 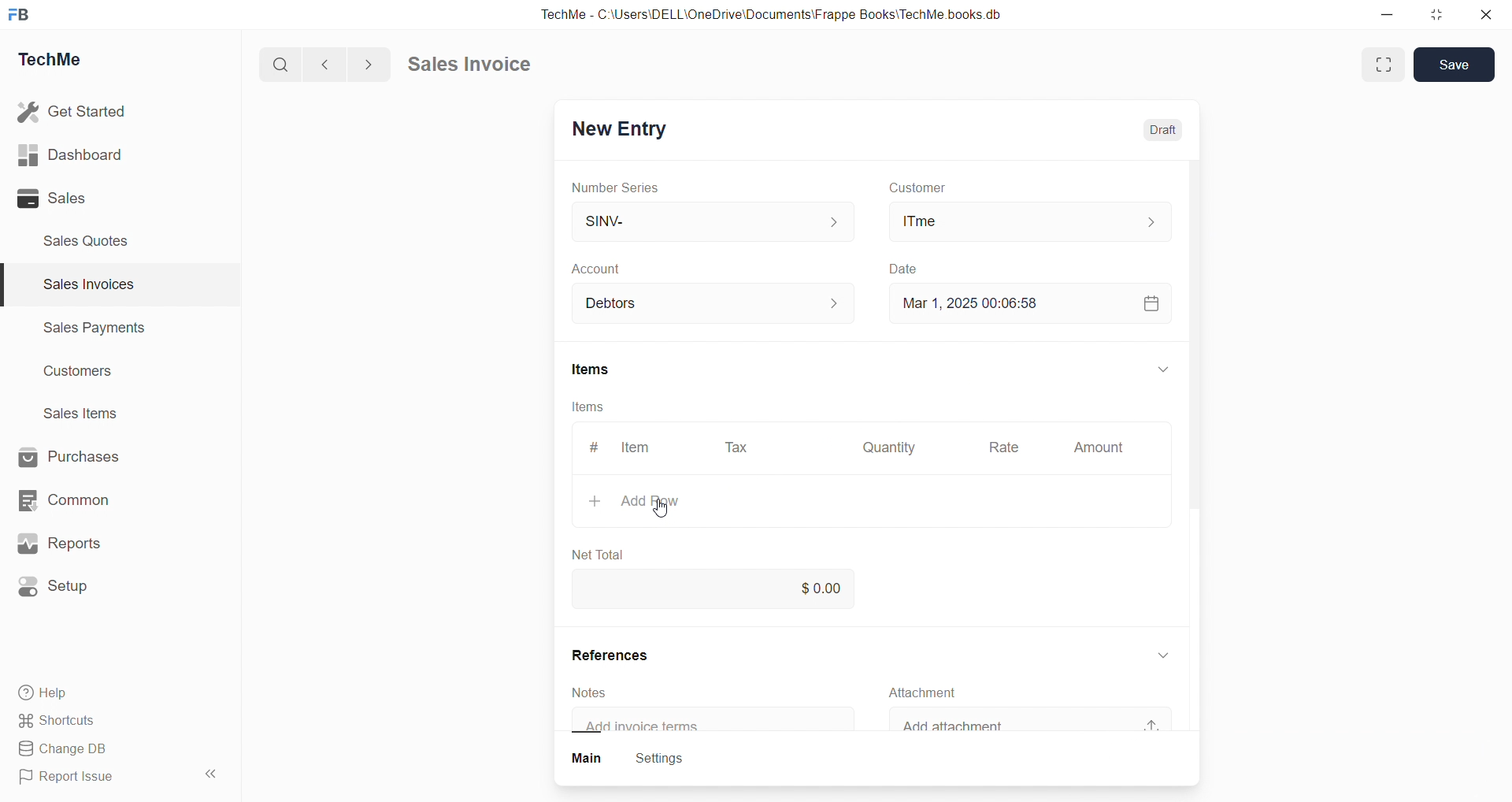 I want to click on TechMe, so click(x=63, y=62).